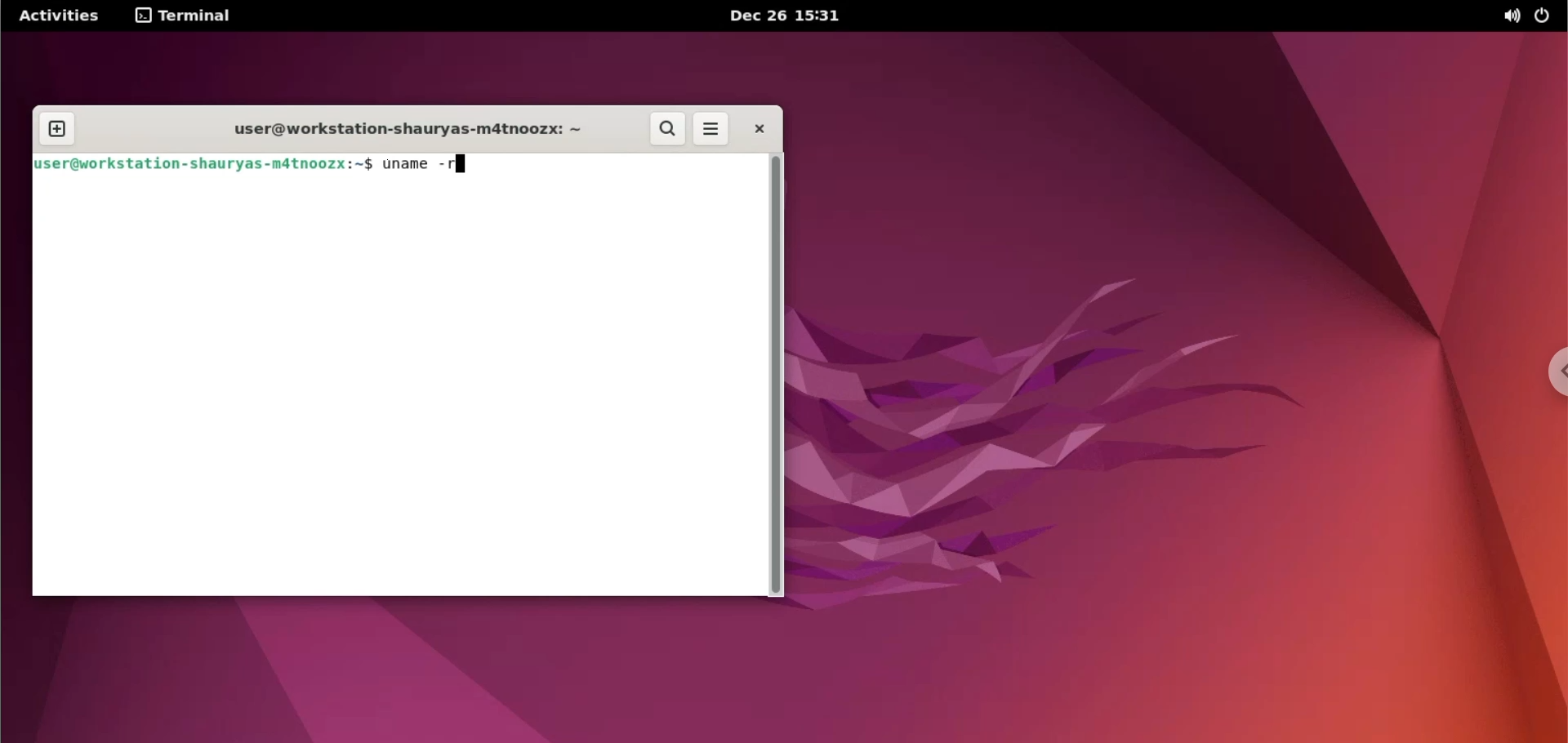 The width and height of the screenshot is (1568, 743). Describe the element at coordinates (204, 164) in the screenshot. I see `user@workstation-shauryas-mdtnoozx:~$` at that location.